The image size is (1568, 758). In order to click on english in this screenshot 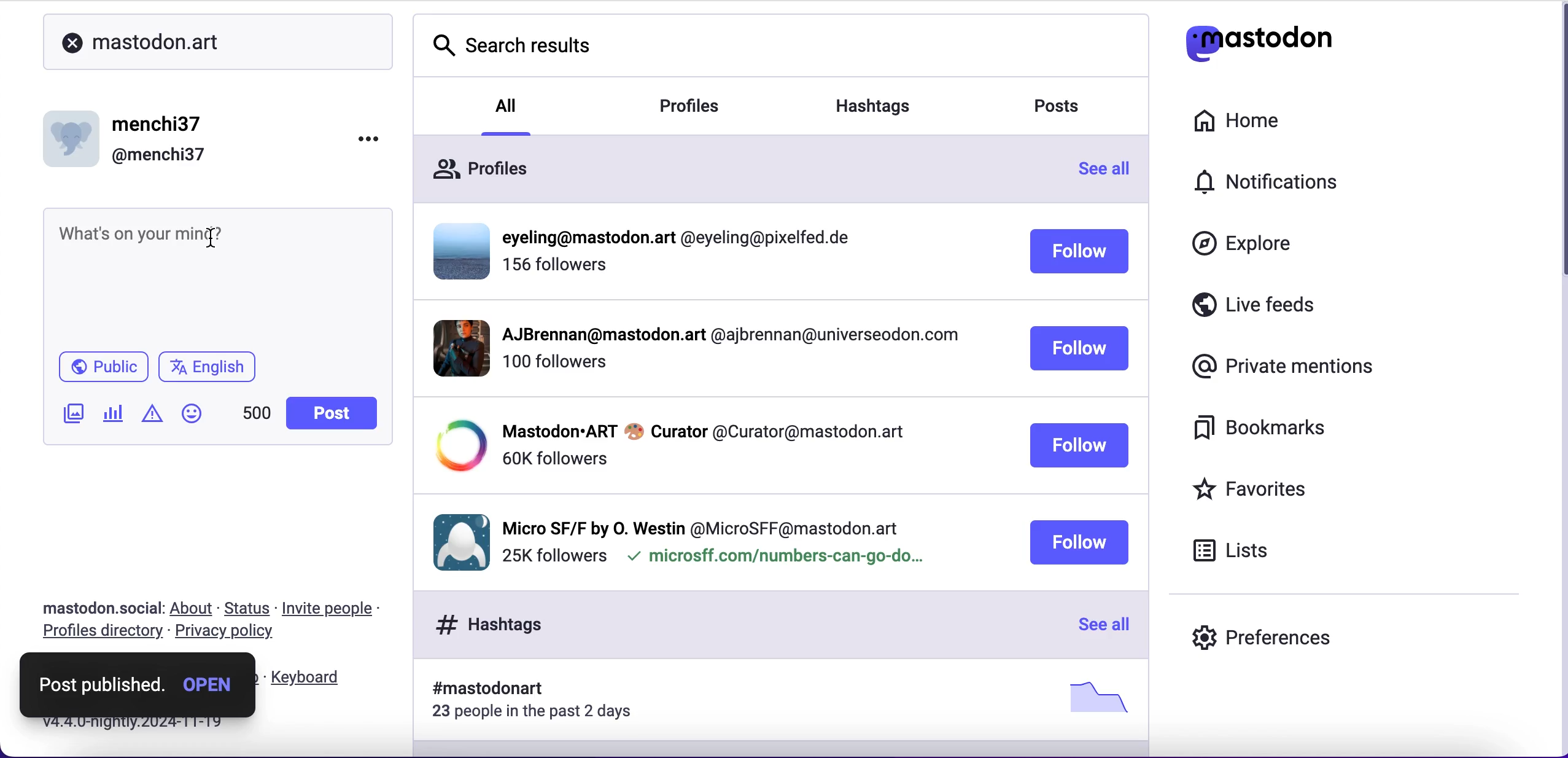, I will do `click(209, 369)`.